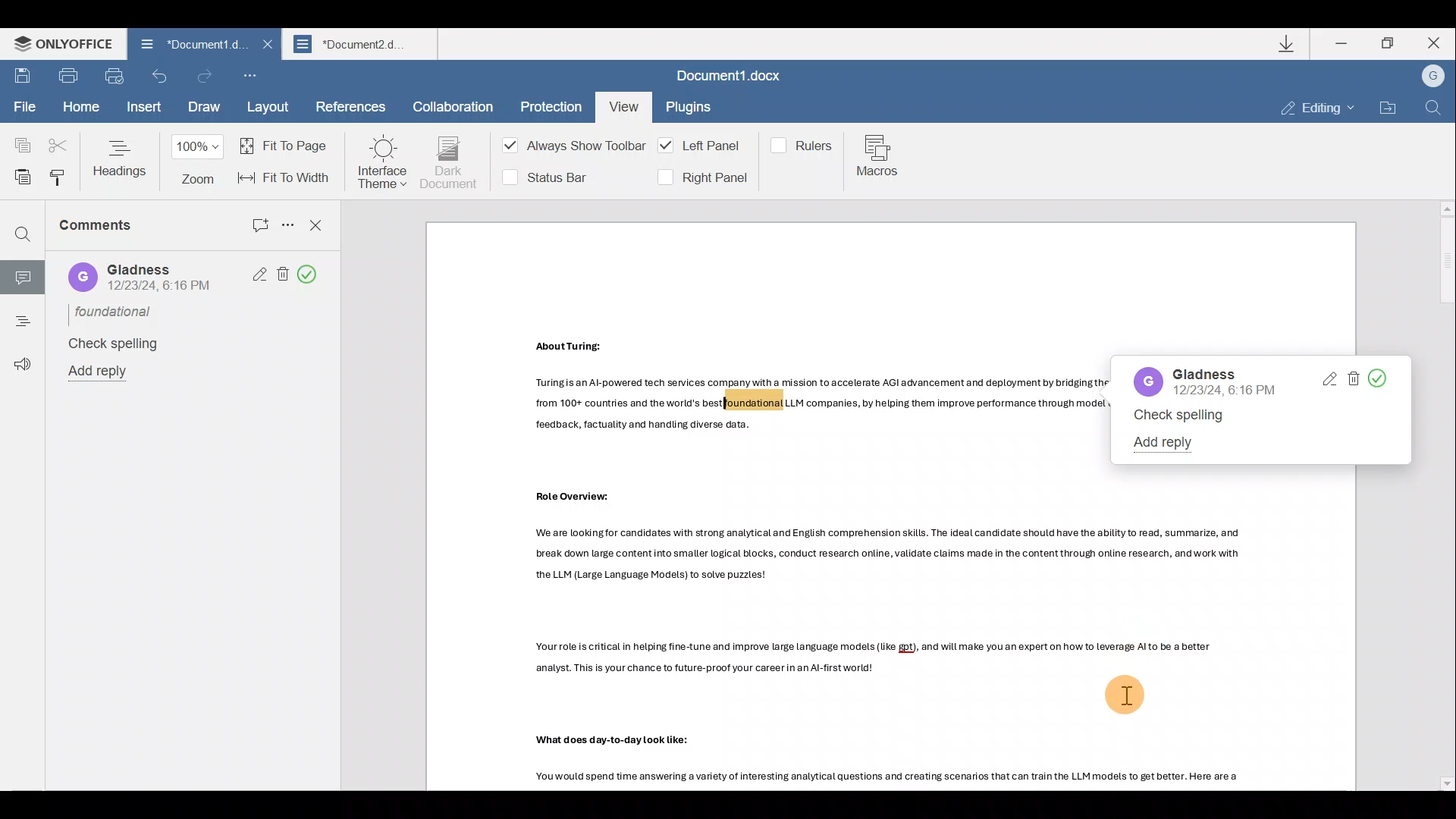  What do you see at coordinates (23, 77) in the screenshot?
I see `Save` at bounding box center [23, 77].